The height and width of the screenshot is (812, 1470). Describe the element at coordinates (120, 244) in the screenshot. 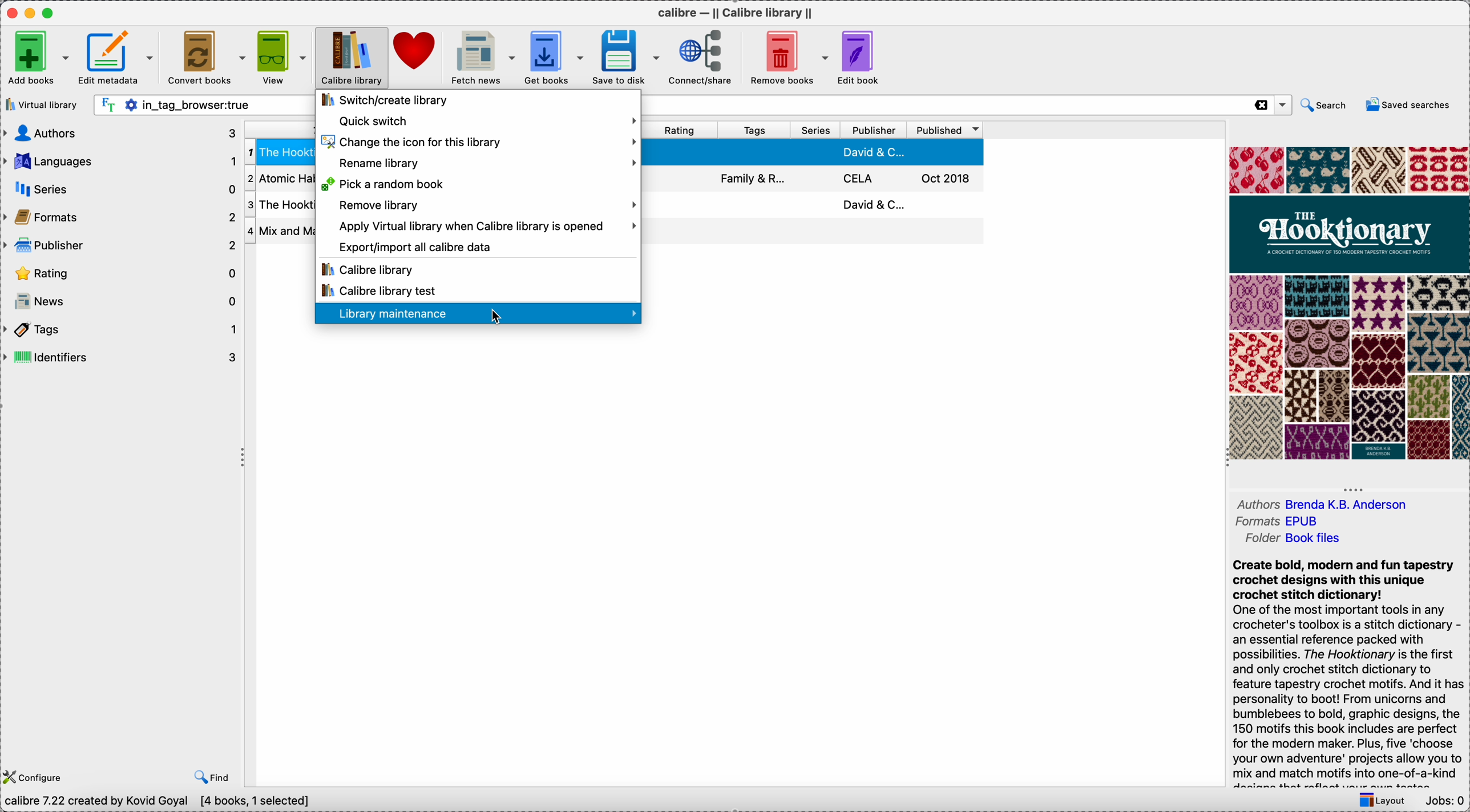

I see `publisher` at that location.